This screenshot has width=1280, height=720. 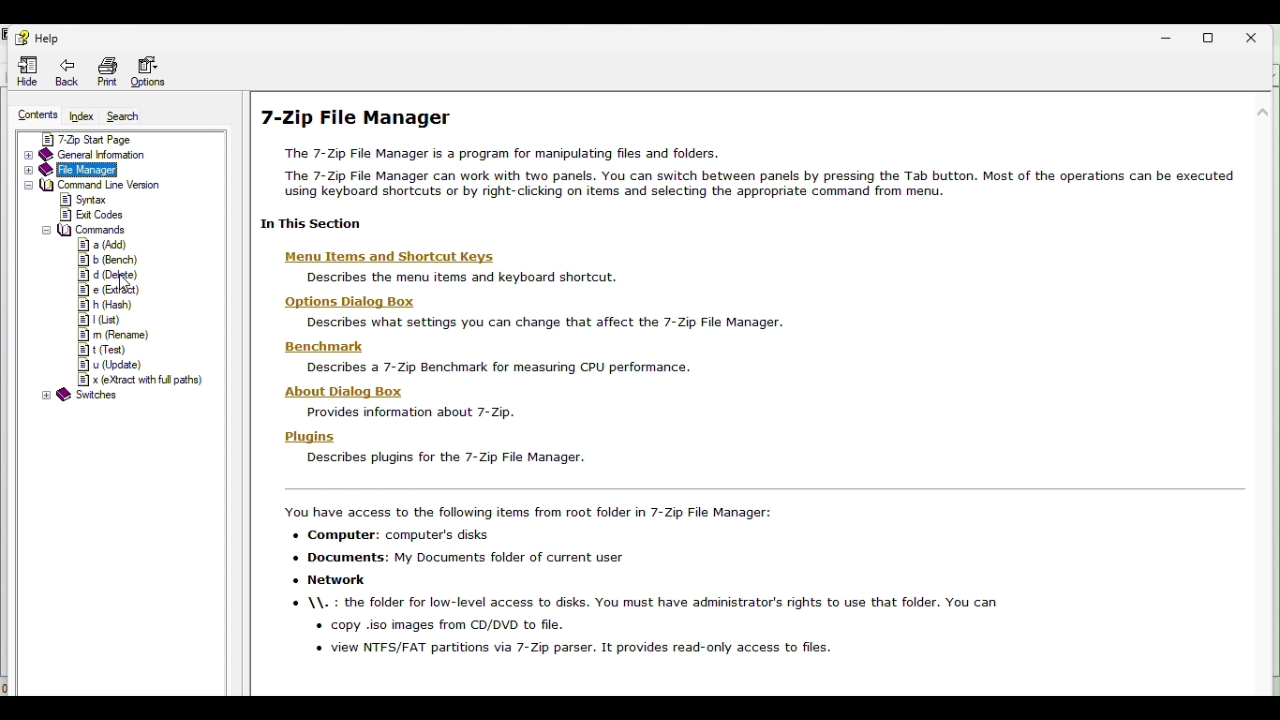 What do you see at coordinates (1262, 33) in the screenshot?
I see `Close` at bounding box center [1262, 33].